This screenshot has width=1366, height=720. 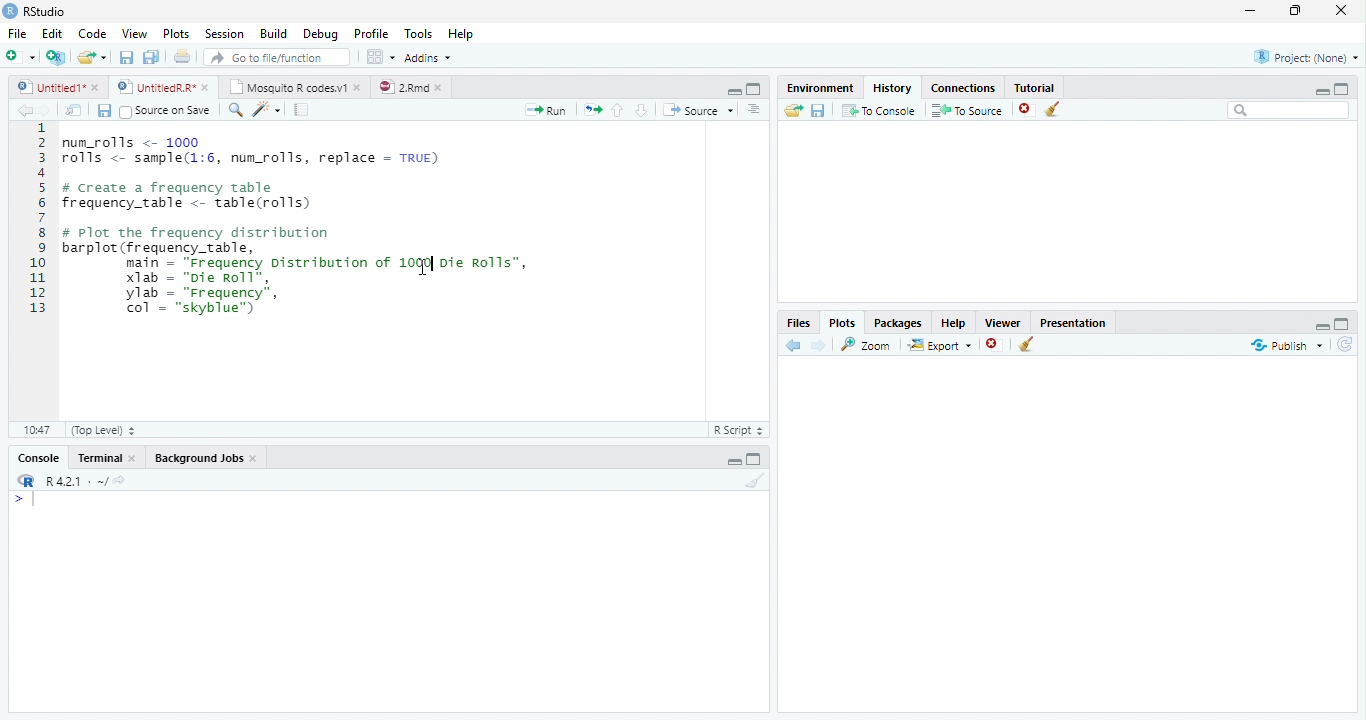 I want to click on Debug, so click(x=321, y=33).